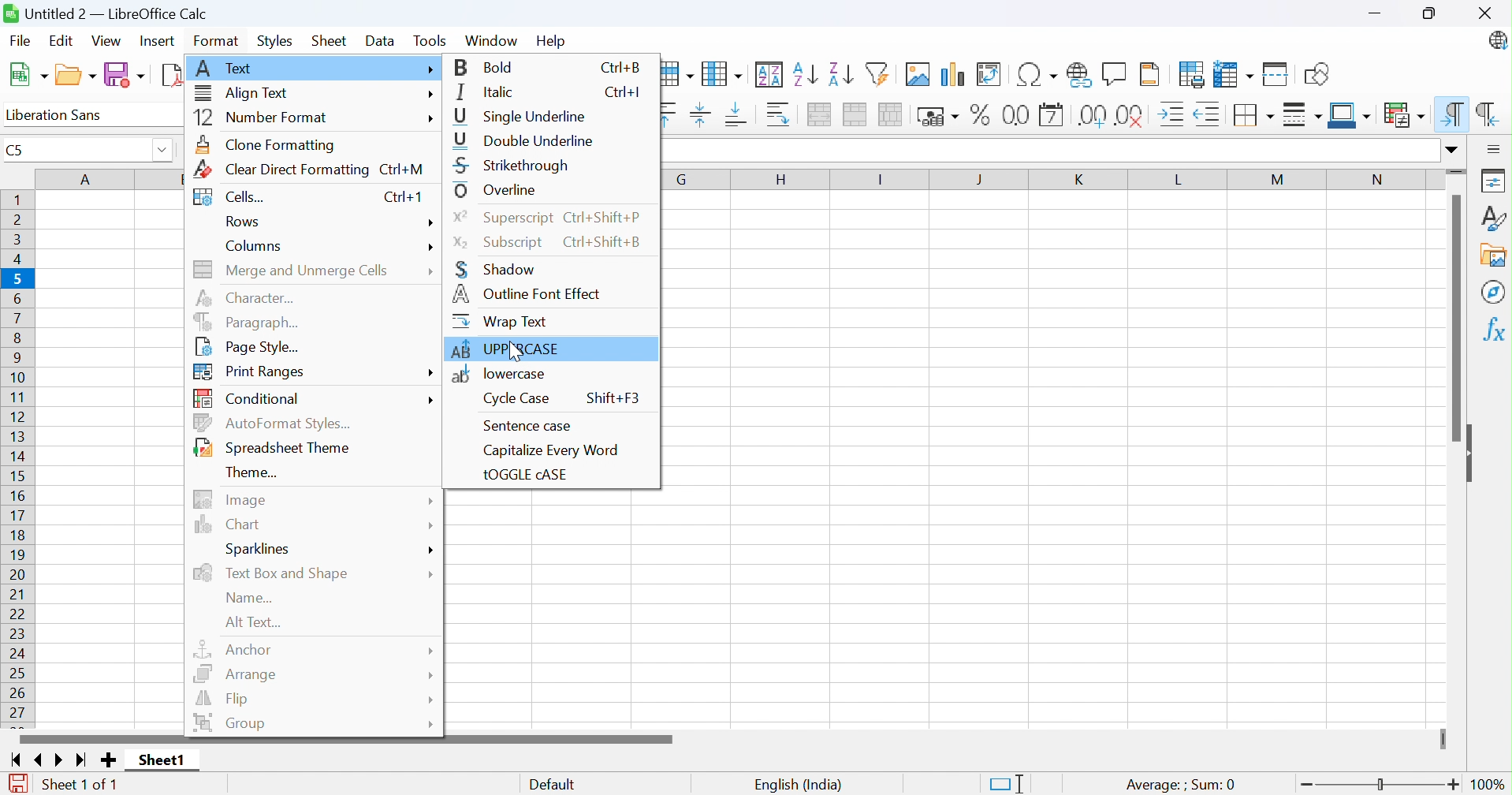 The image size is (1512, 795). I want to click on Sort ascending, so click(805, 75).